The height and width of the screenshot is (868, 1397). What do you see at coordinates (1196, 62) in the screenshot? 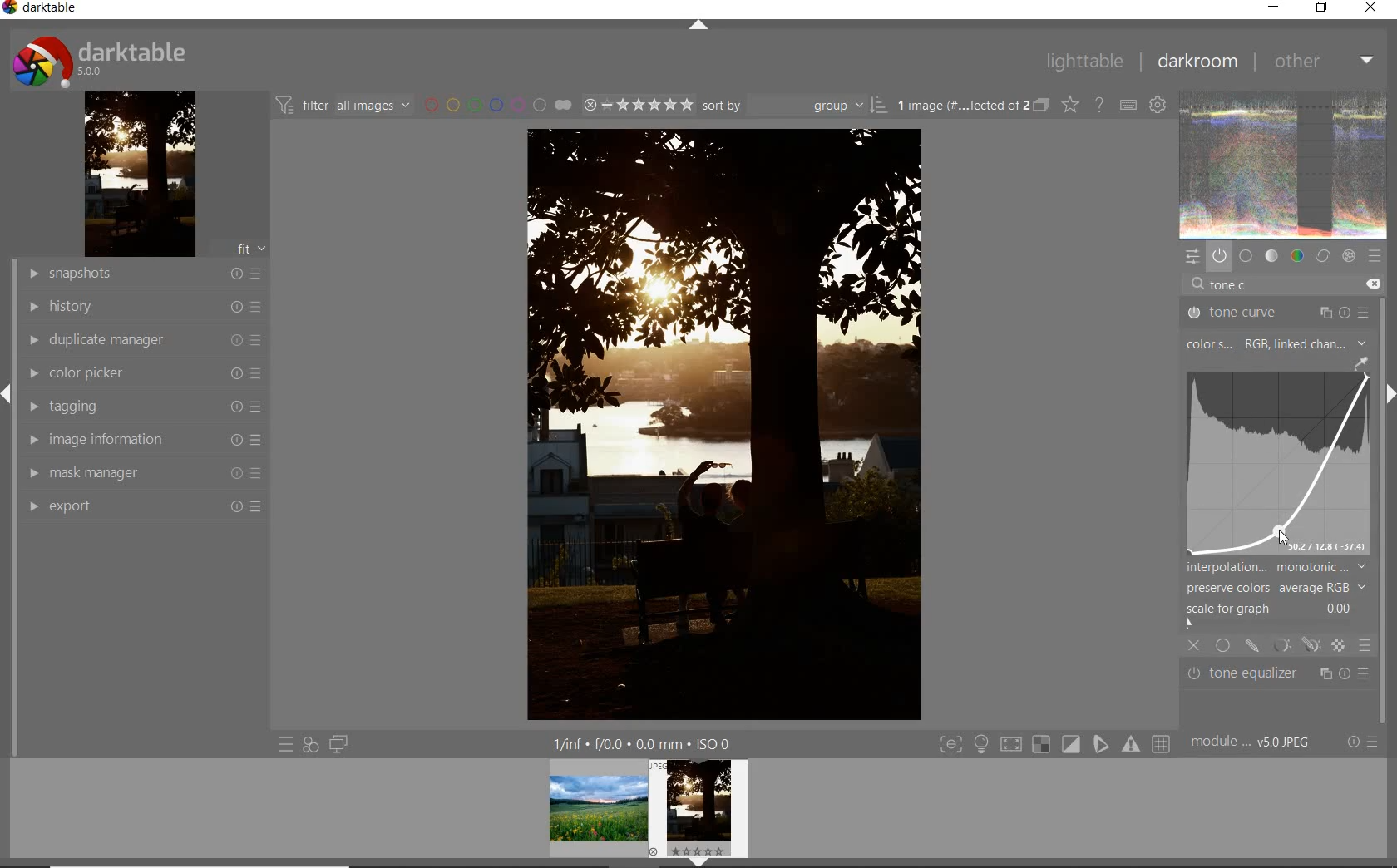
I see `darkroom` at bounding box center [1196, 62].